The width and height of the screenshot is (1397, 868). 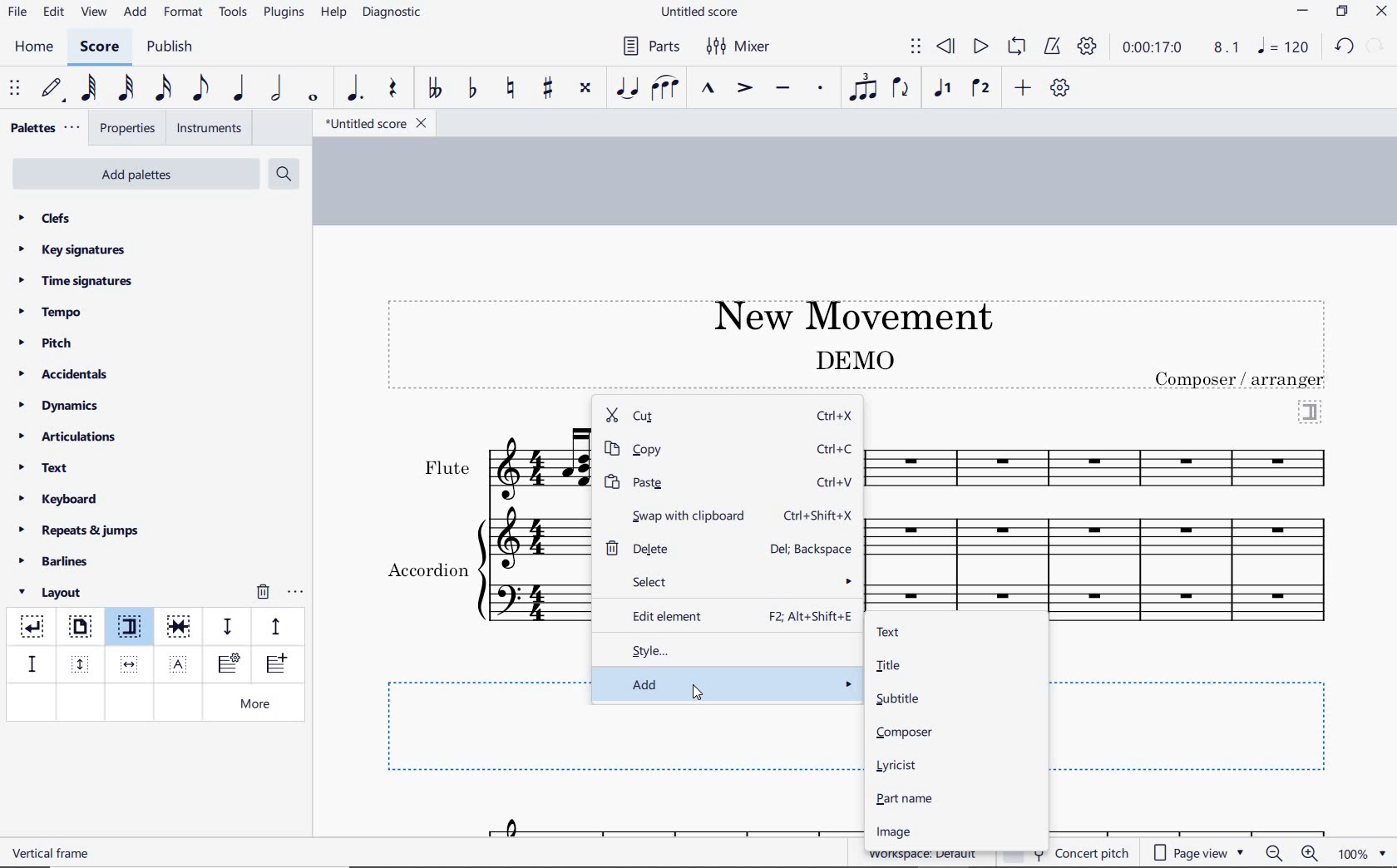 What do you see at coordinates (691, 450) in the screenshot?
I see `copy` at bounding box center [691, 450].